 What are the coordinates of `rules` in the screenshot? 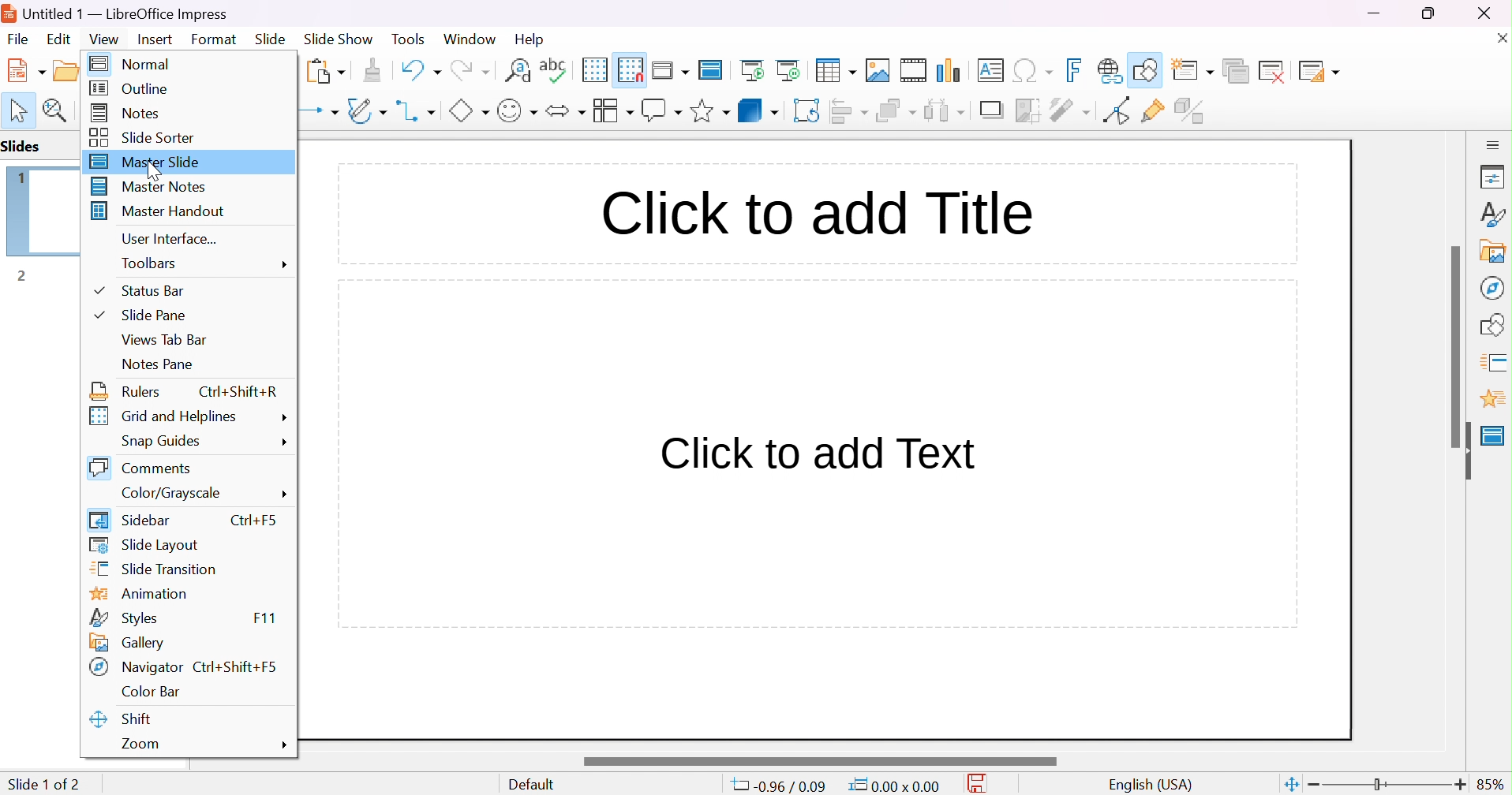 It's located at (127, 390).